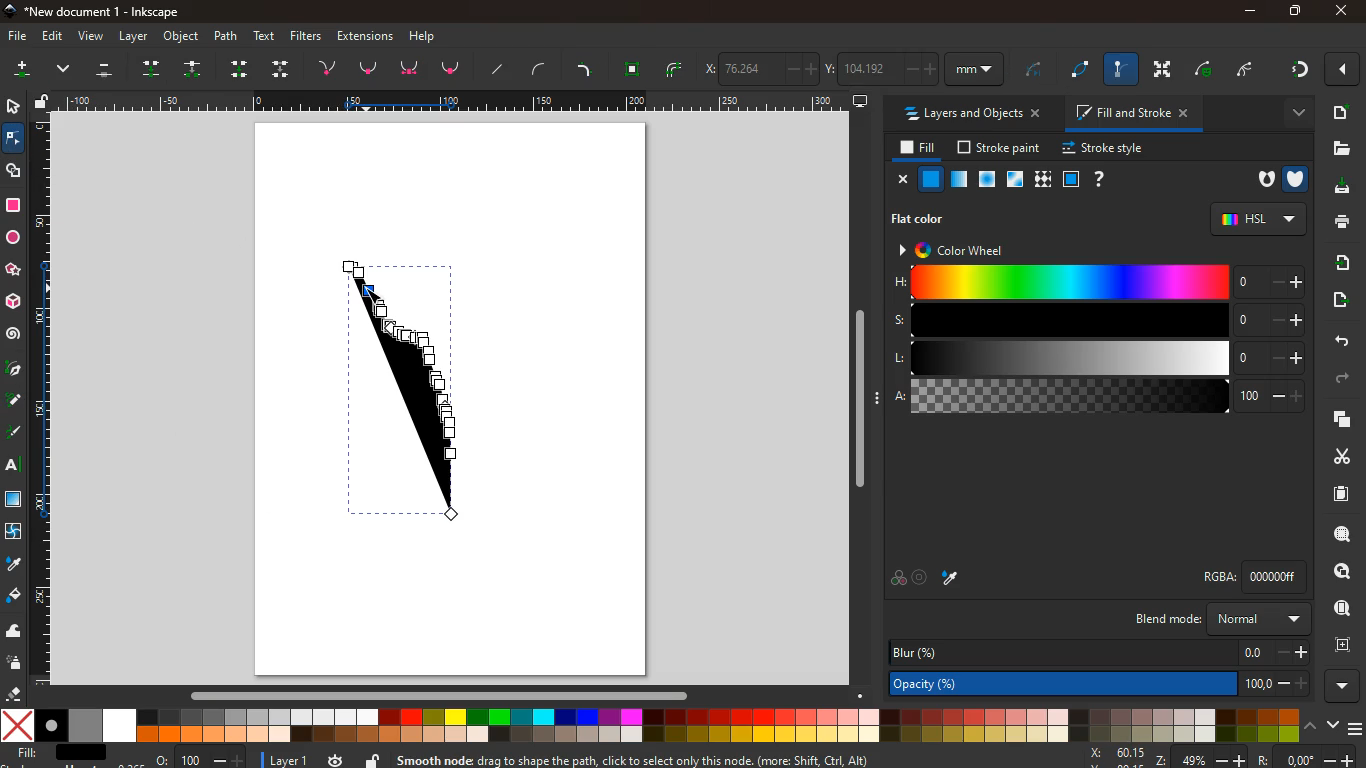 The image size is (1366, 768). Describe the element at coordinates (1335, 572) in the screenshot. I see `find` at that location.